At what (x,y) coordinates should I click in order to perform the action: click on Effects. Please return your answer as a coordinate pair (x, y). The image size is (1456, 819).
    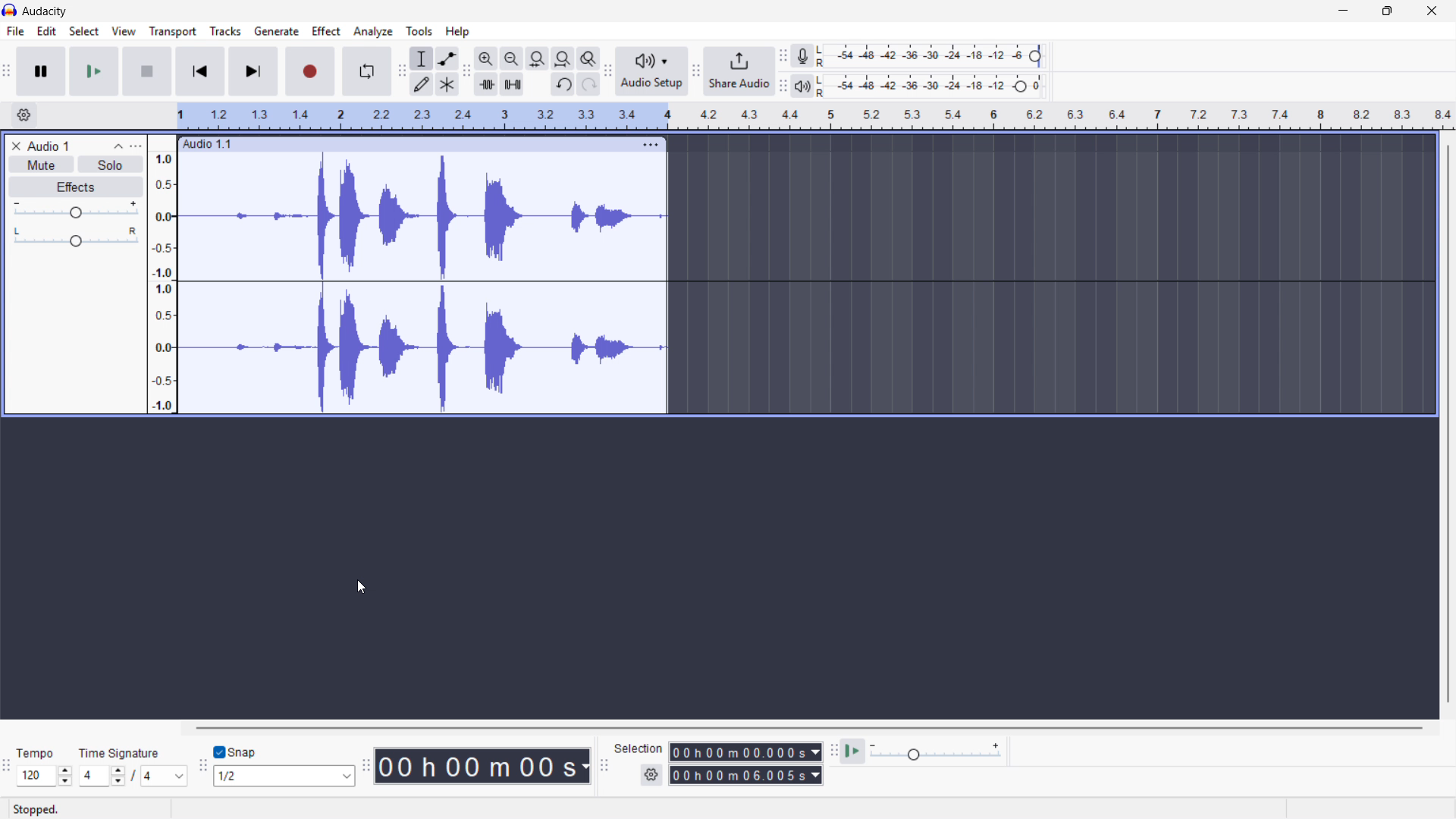
    Looking at the image, I should click on (77, 188).